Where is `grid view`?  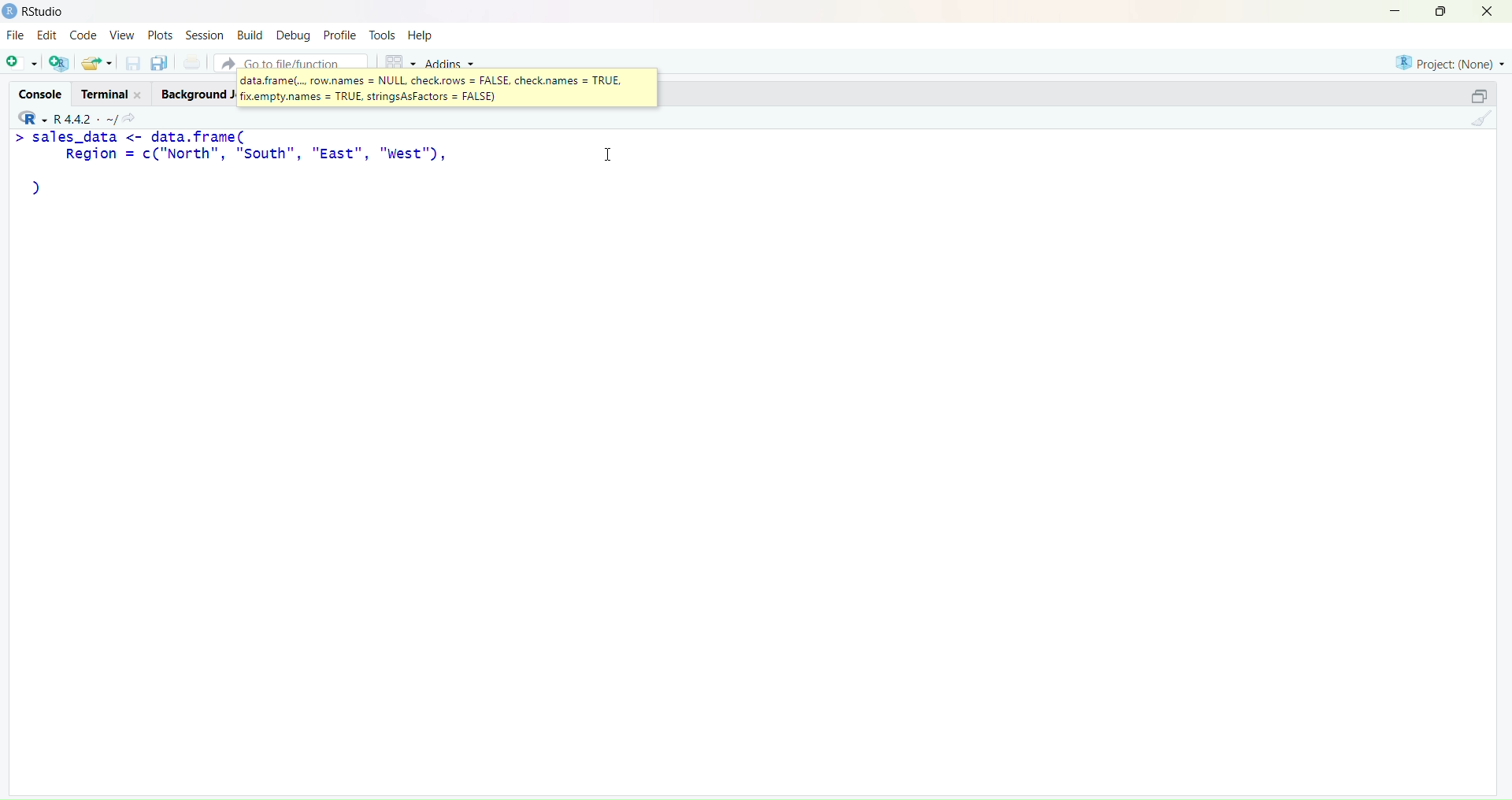
grid view is located at coordinates (395, 60).